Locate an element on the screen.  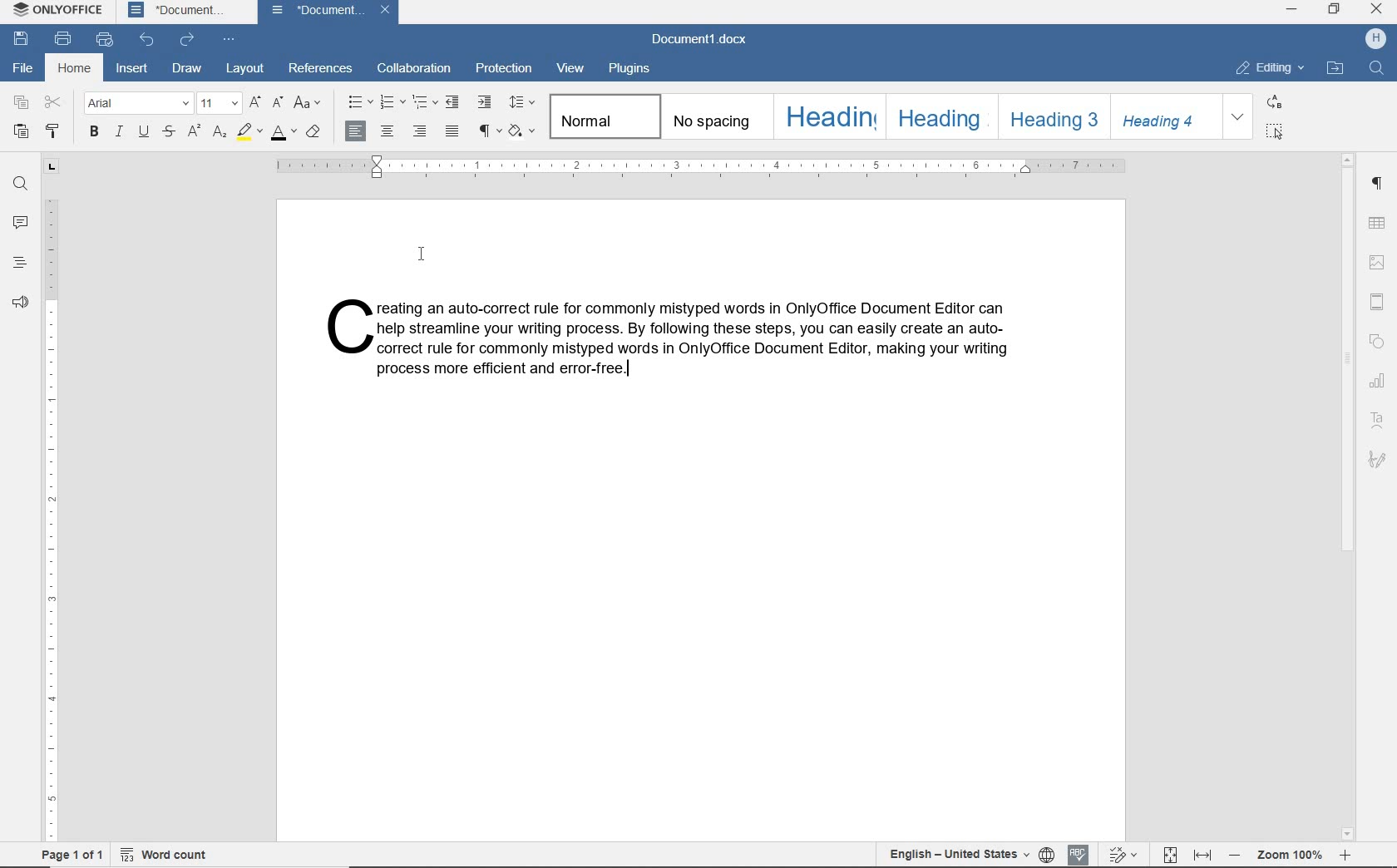
UNDERLINE is located at coordinates (146, 132).